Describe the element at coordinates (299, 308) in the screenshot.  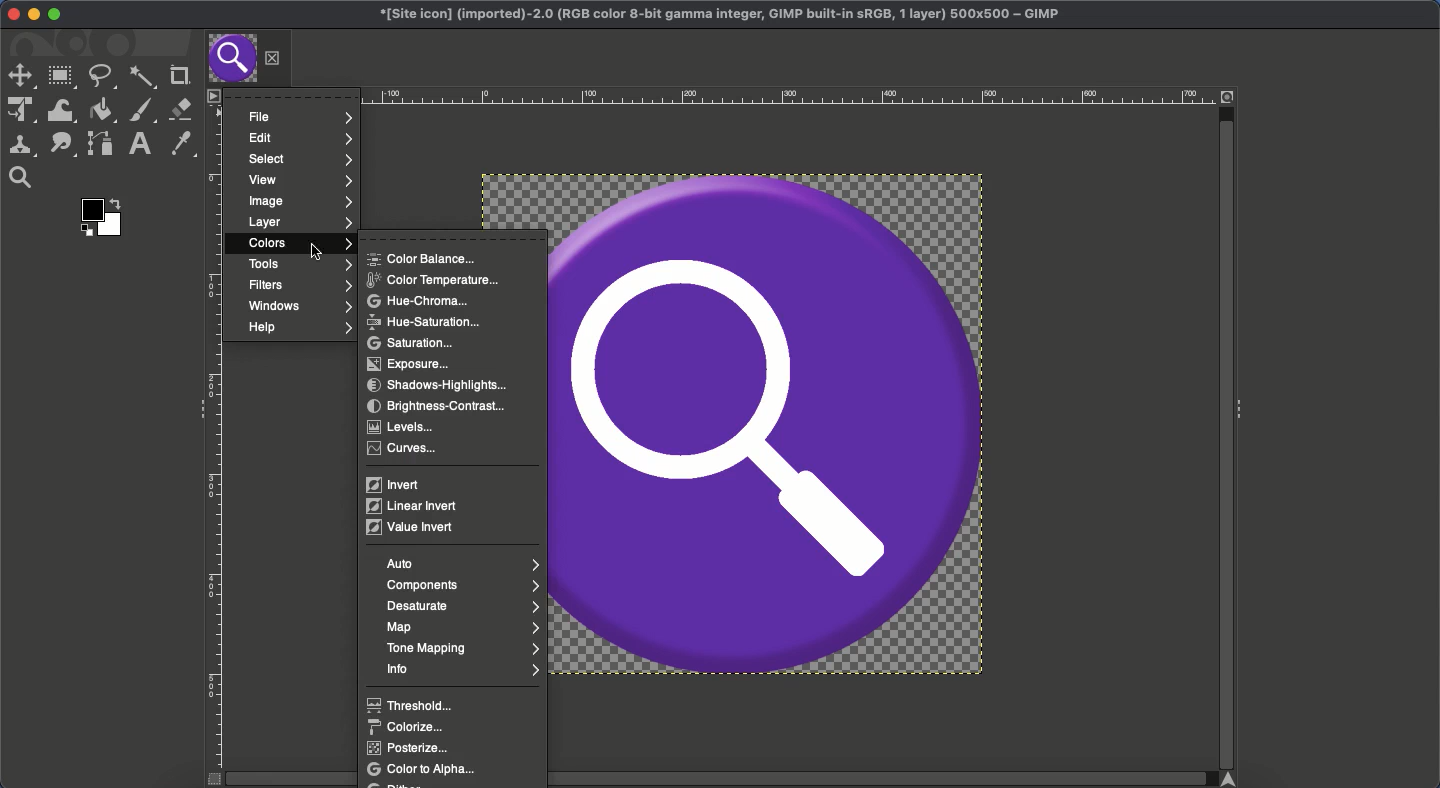
I see `Window` at that location.